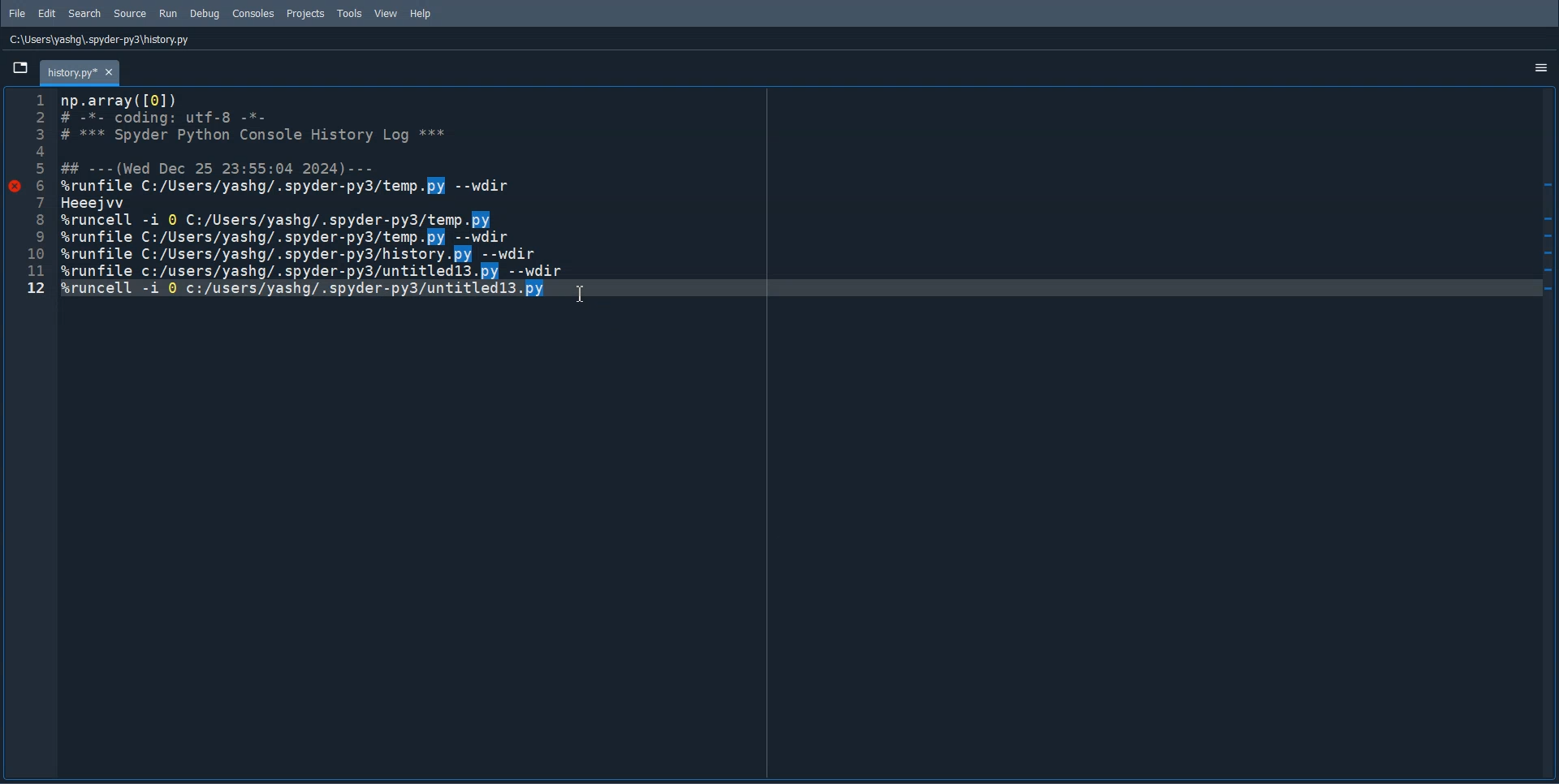 The width and height of the screenshot is (1559, 784). What do you see at coordinates (420, 14) in the screenshot?
I see `Help` at bounding box center [420, 14].